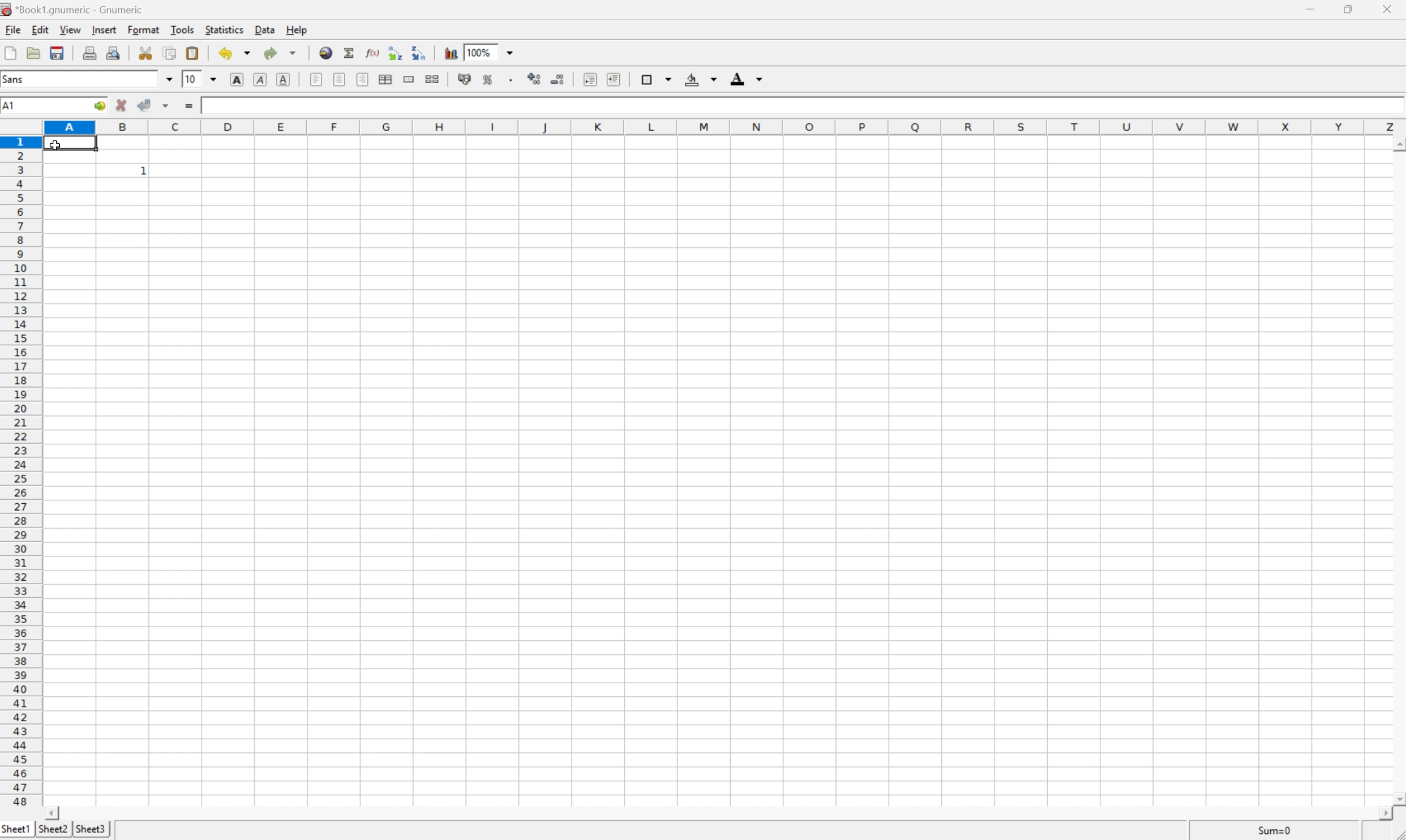 The height and width of the screenshot is (840, 1406). Describe the element at coordinates (143, 31) in the screenshot. I see `format` at that location.